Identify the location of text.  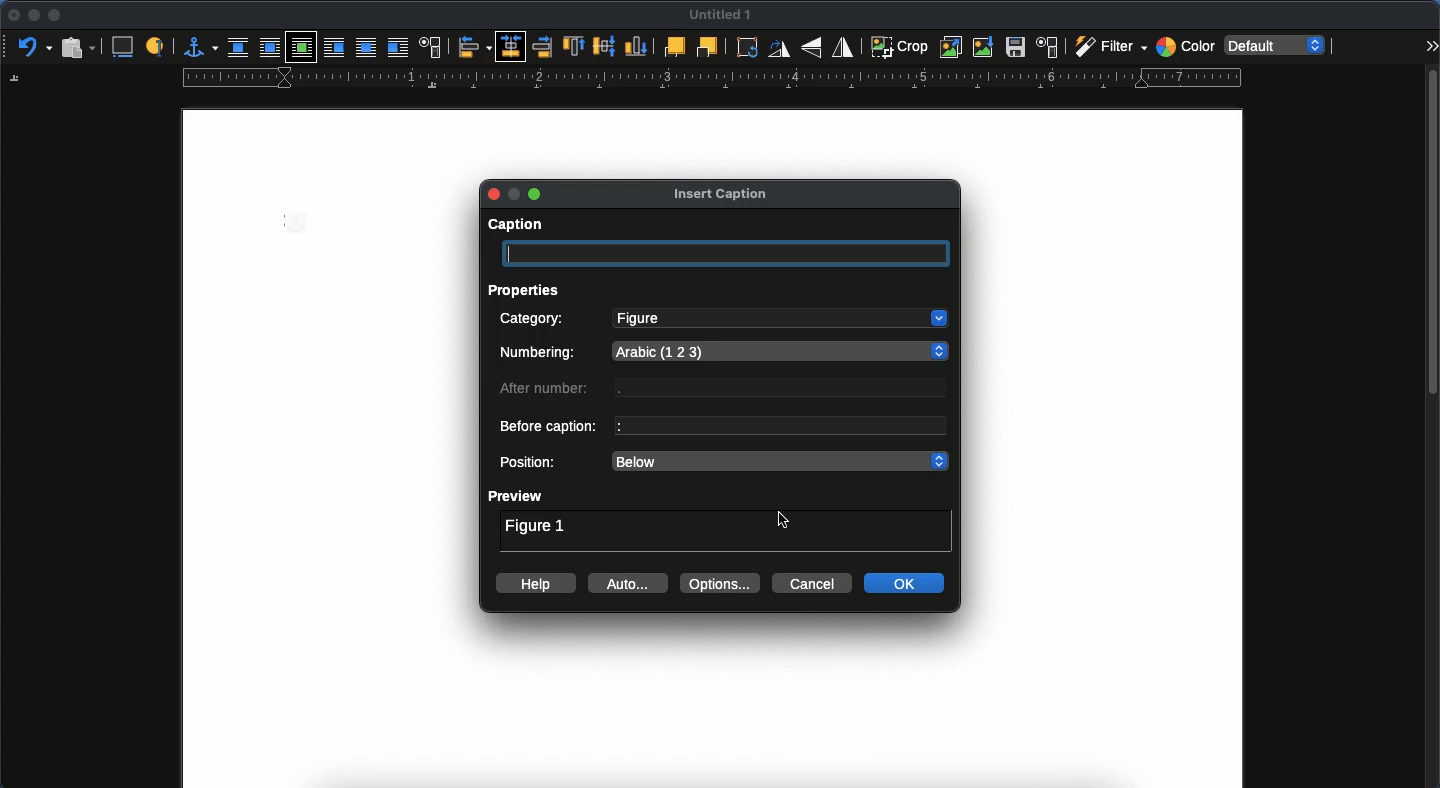
(779, 425).